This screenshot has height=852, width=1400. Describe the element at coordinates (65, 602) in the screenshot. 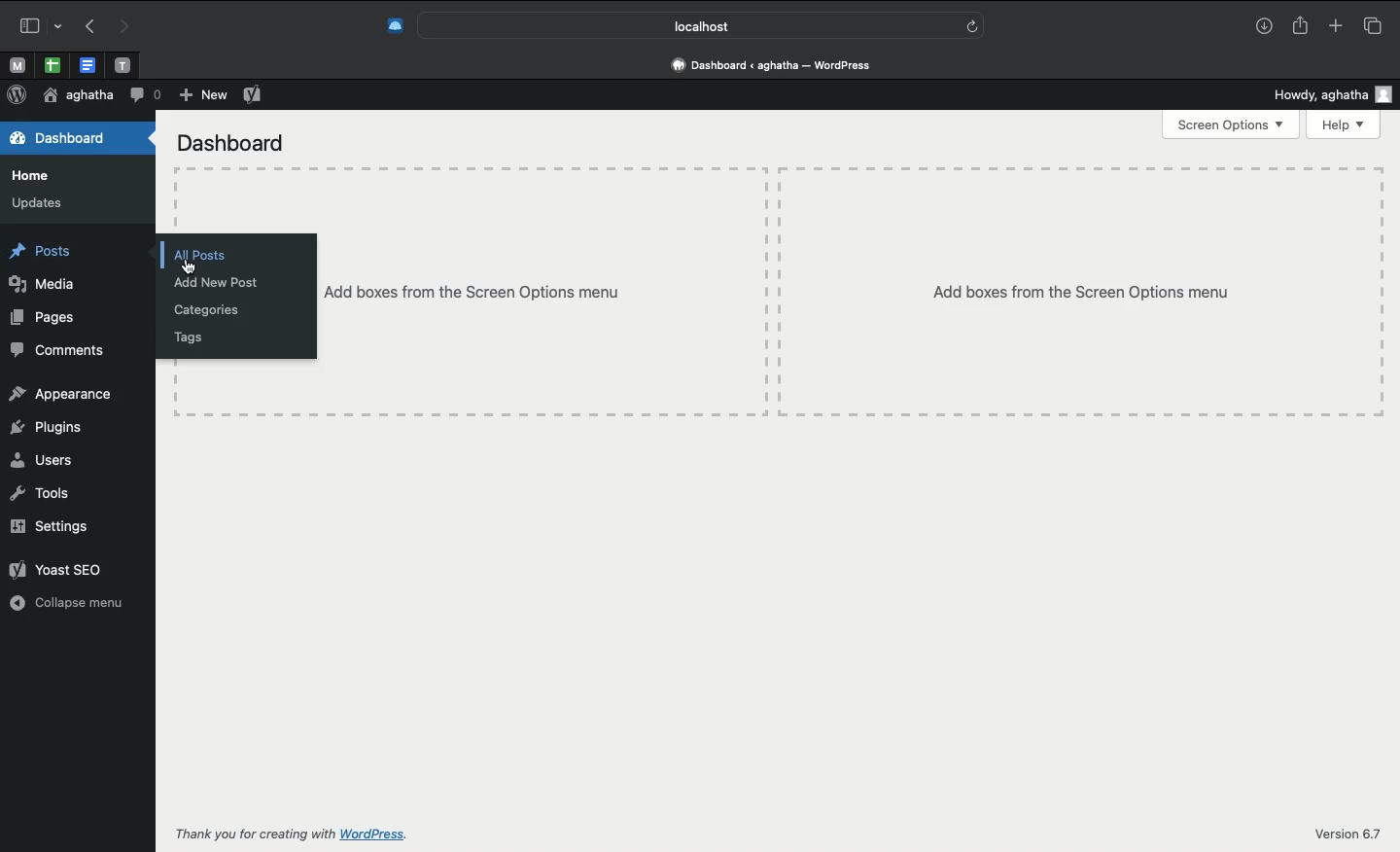

I see `Collapse menu` at that location.